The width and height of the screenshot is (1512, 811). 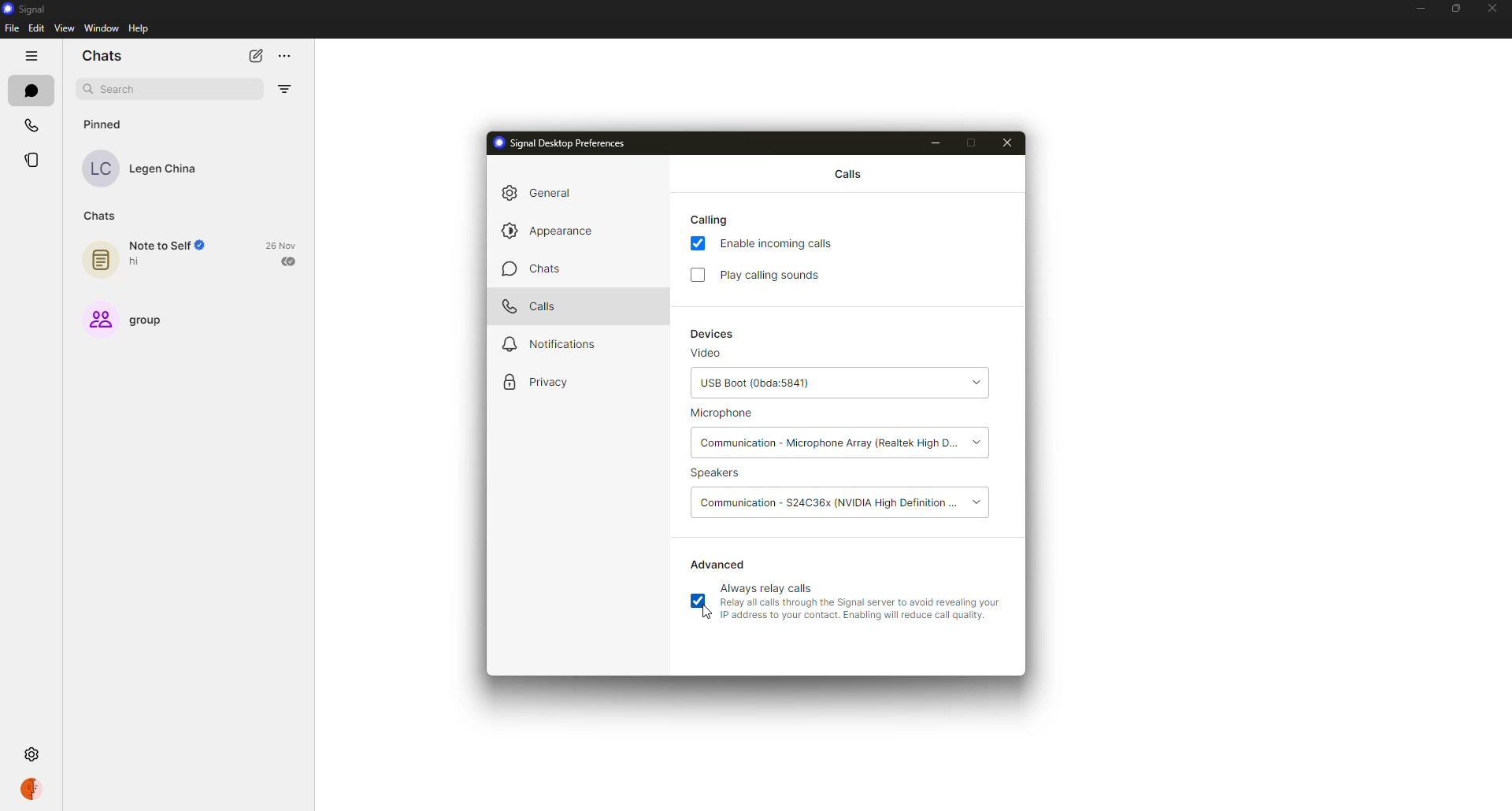 I want to click on chats, so click(x=529, y=268).